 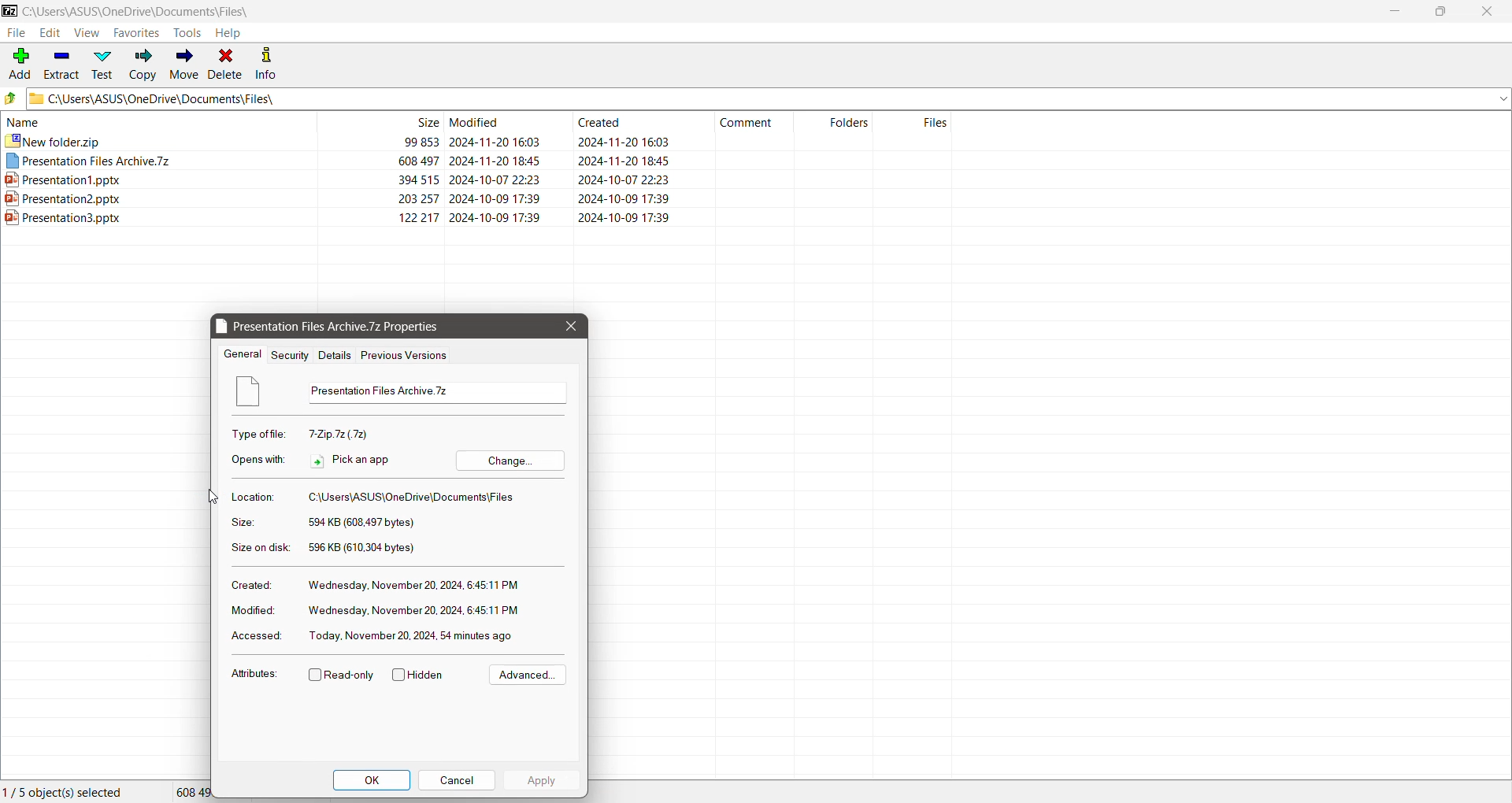 I want to click on View, so click(x=87, y=33).